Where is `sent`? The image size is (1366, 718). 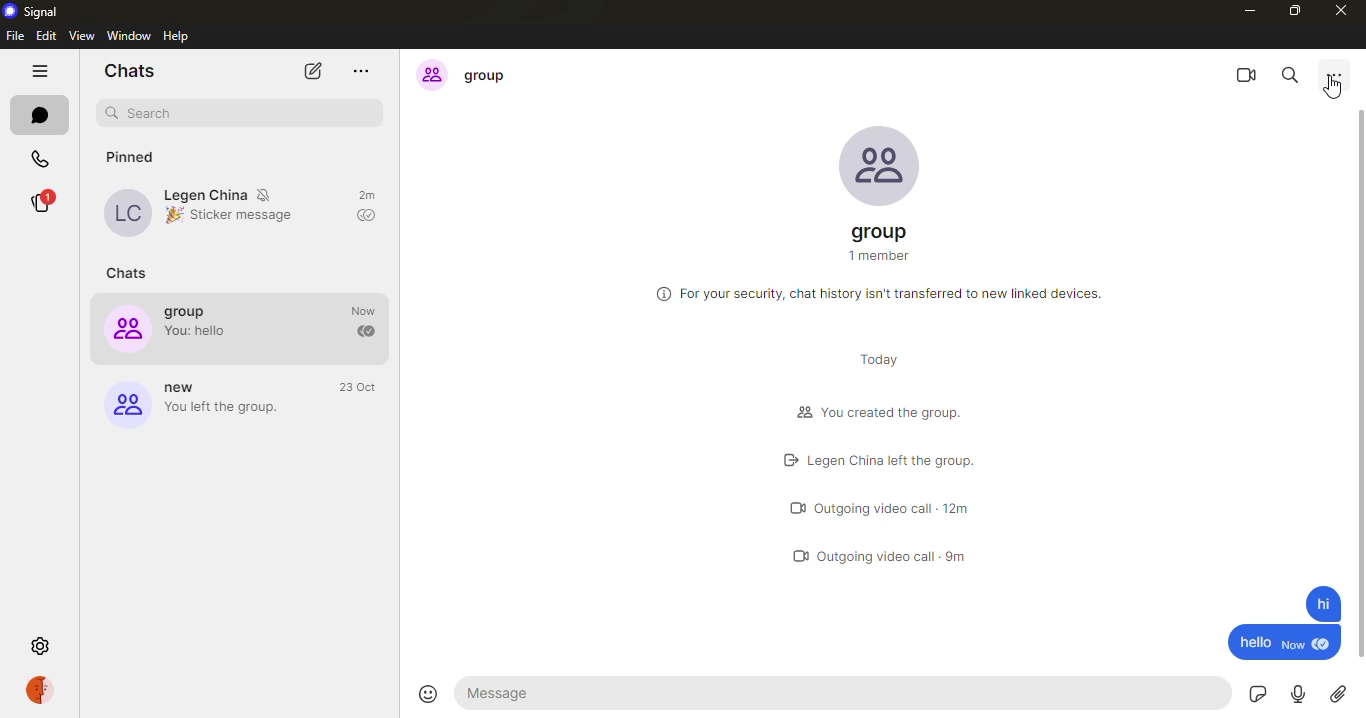
sent is located at coordinates (365, 332).